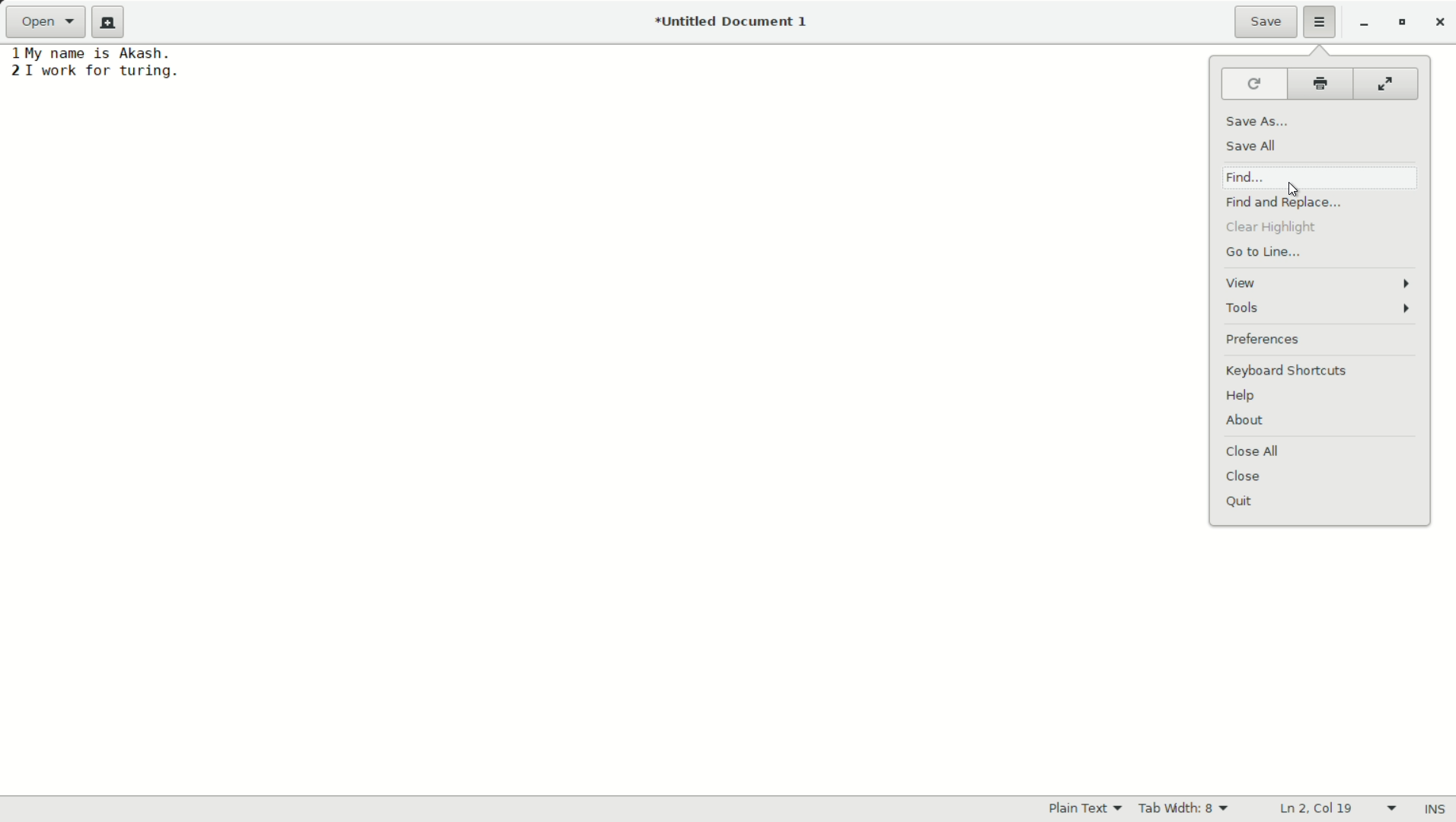 This screenshot has height=822, width=1456. What do you see at coordinates (1256, 86) in the screenshot?
I see `reload` at bounding box center [1256, 86].